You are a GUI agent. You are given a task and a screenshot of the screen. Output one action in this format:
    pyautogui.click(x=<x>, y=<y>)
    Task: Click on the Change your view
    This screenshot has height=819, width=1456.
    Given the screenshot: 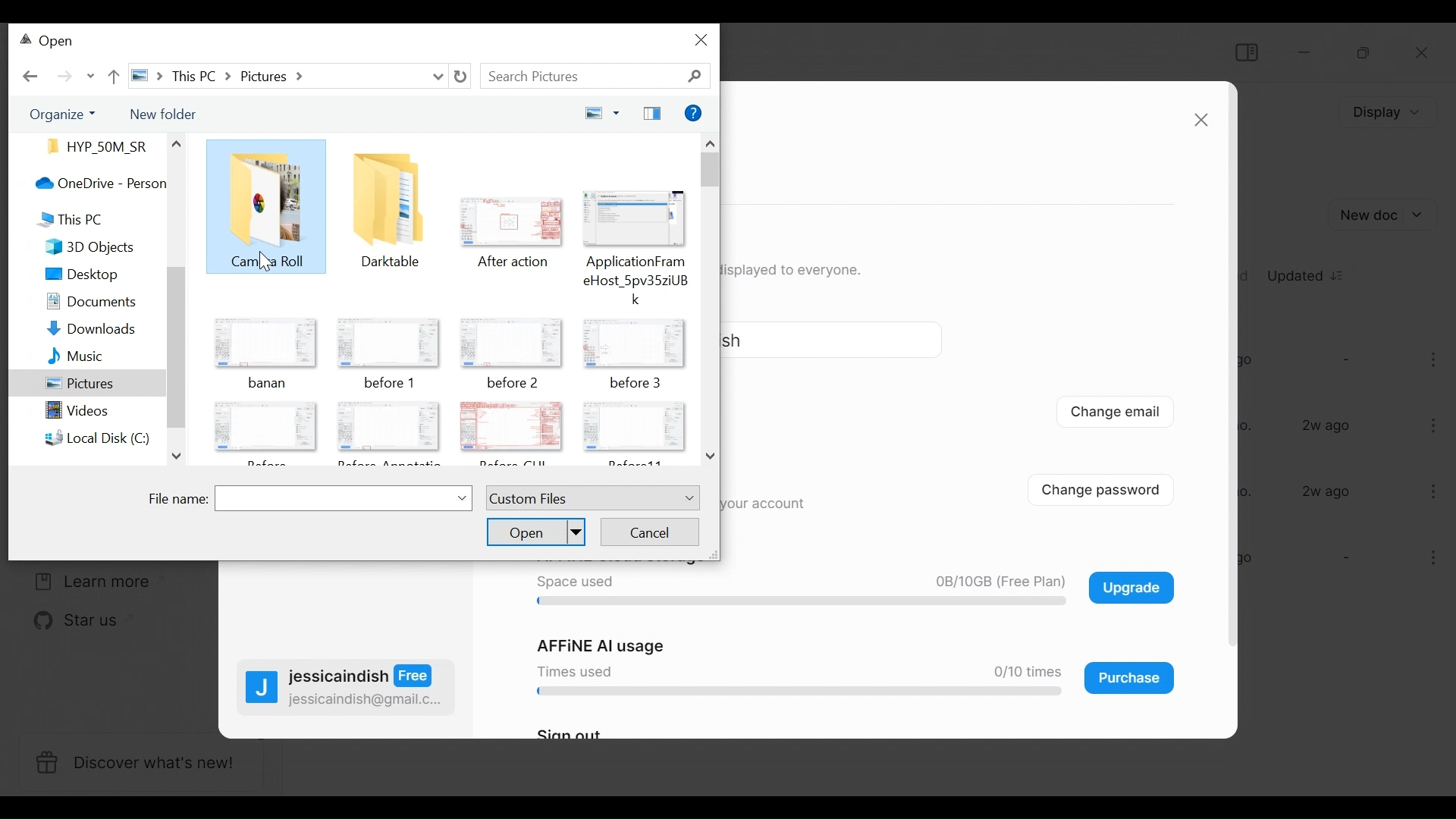 What is the action you would take?
    pyautogui.click(x=598, y=114)
    